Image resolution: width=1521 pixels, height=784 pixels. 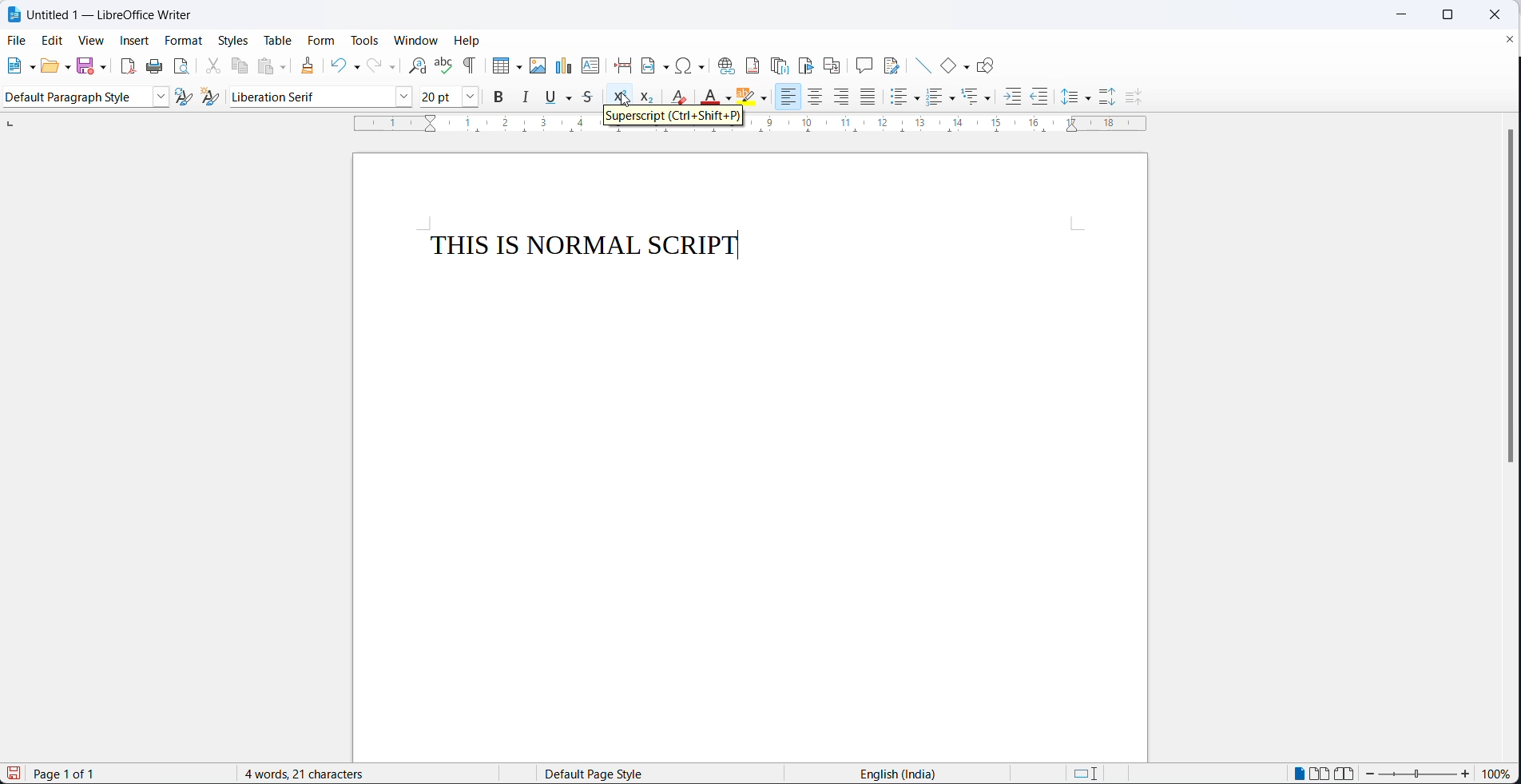 I want to click on file, so click(x=18, y=40).